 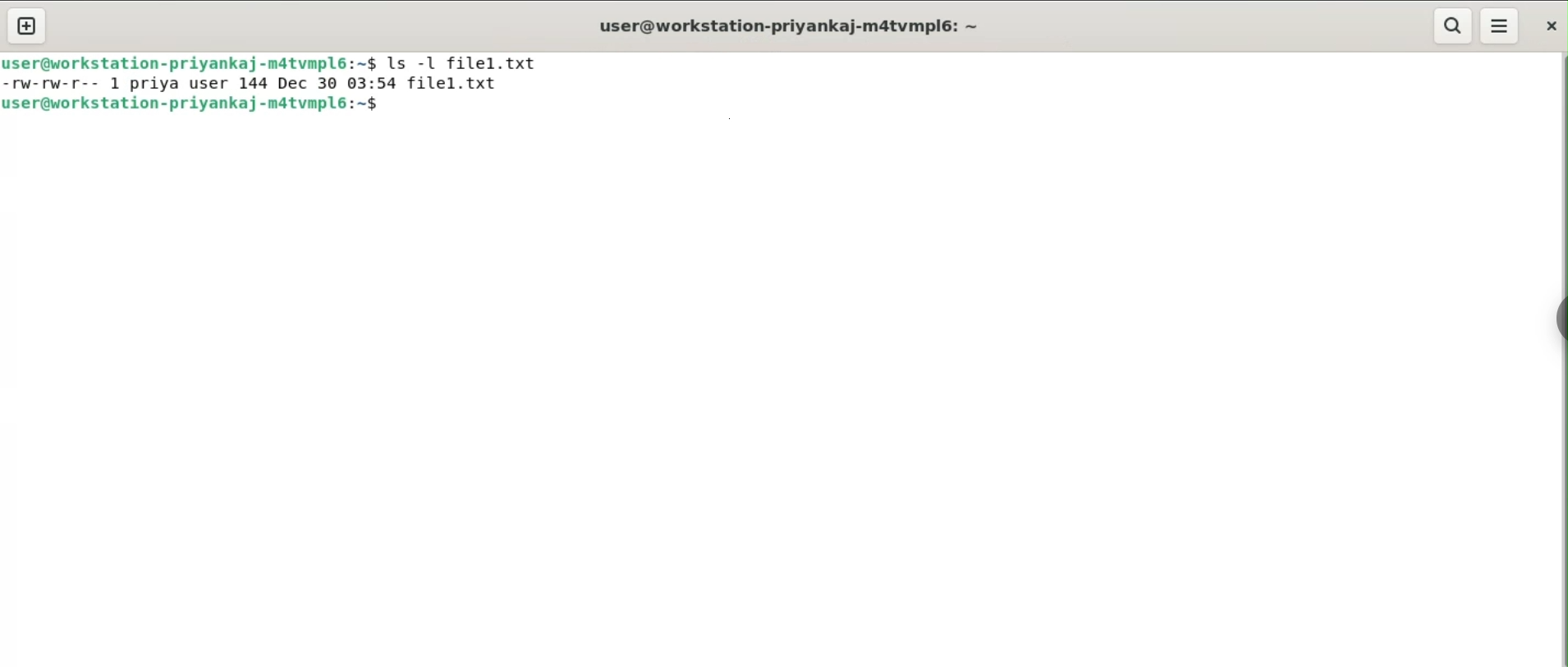 What do you see at coordinates (25, 25) in the screenshot?
I see `new tab` at bounding box center [25, 25].